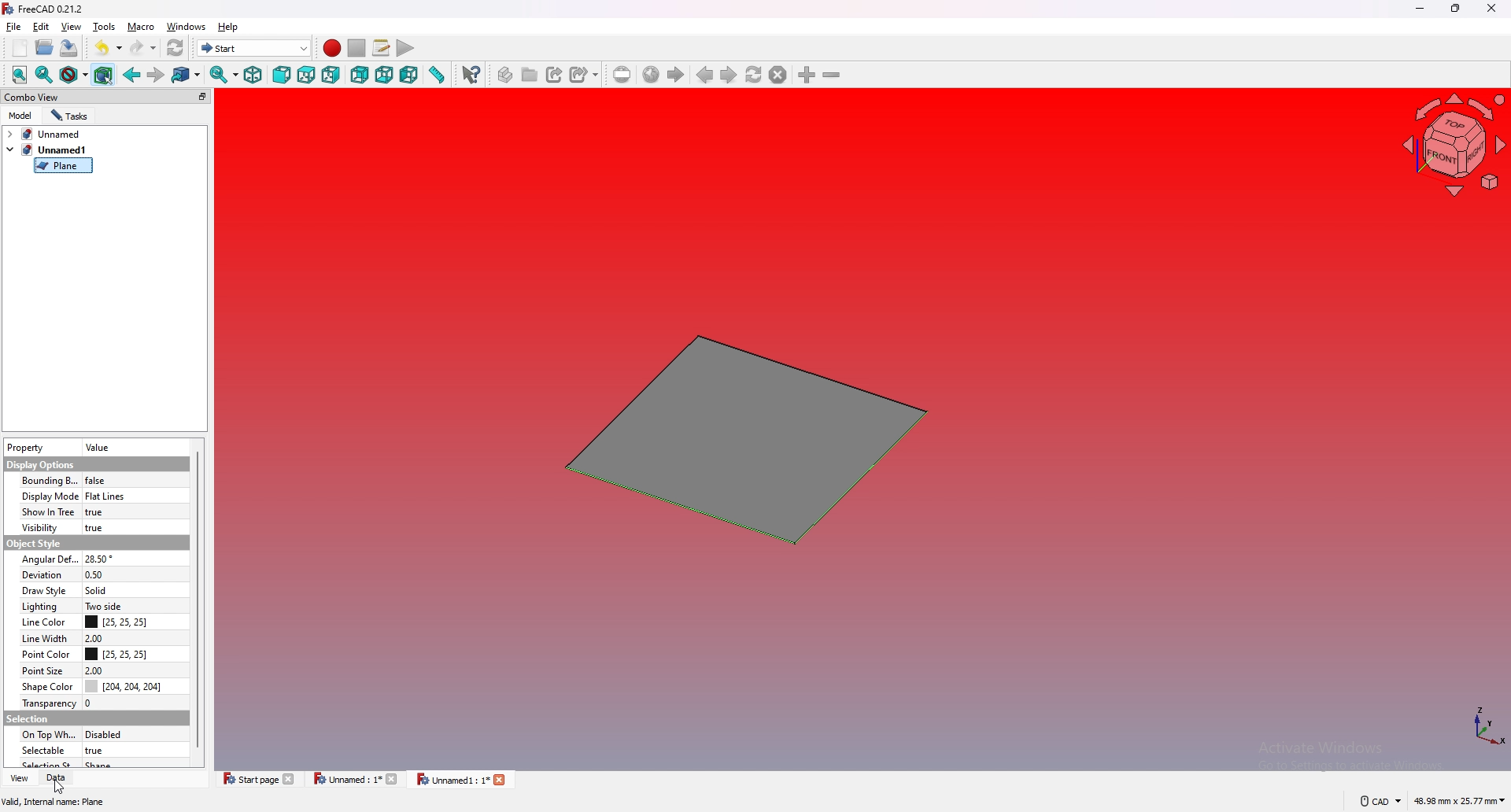 This screenshot has height=812, width=1511. I want to click on false, so click(98, 480).